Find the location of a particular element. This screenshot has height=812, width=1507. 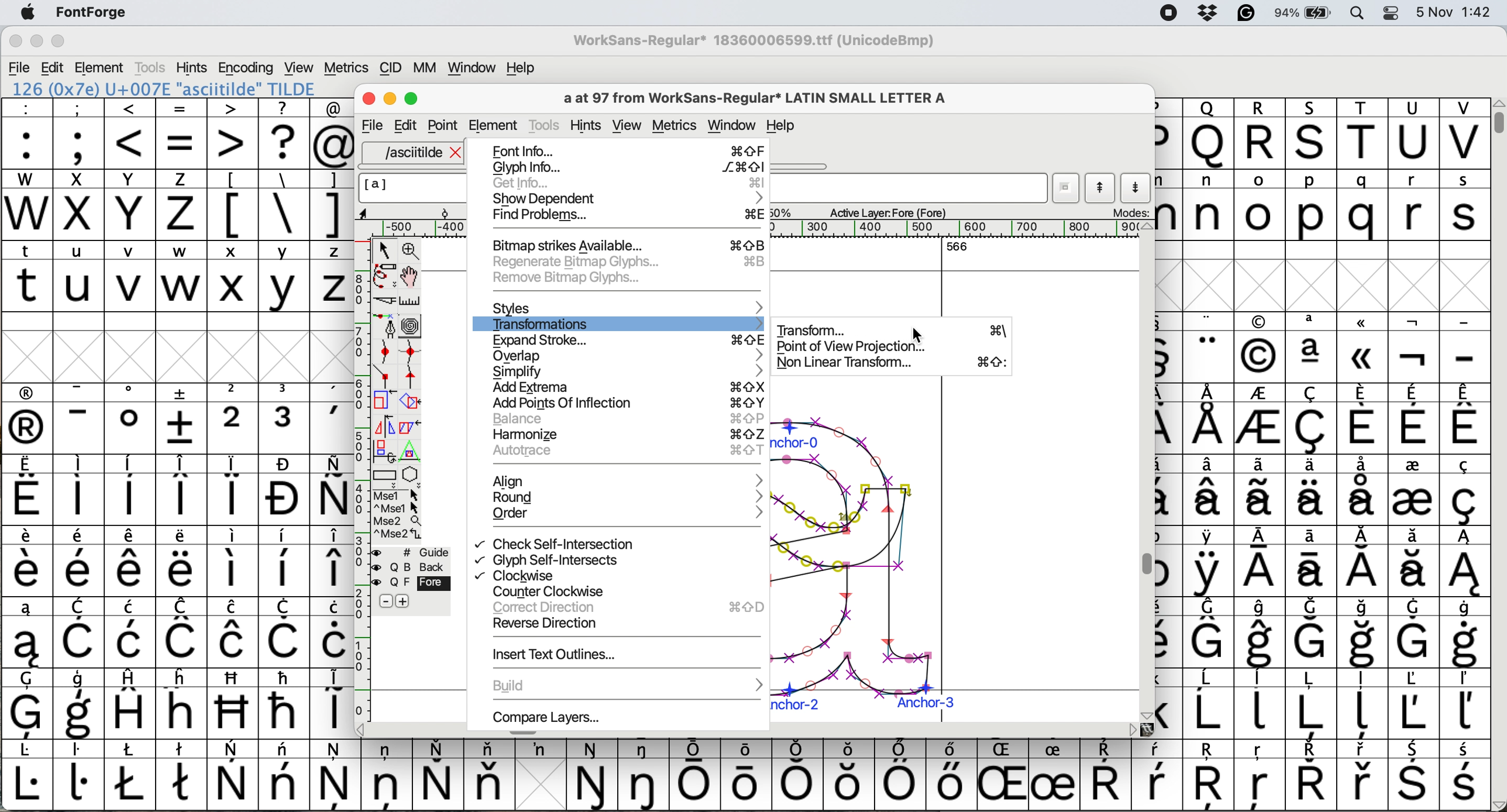

symbol is located at coordinates (183, 632).